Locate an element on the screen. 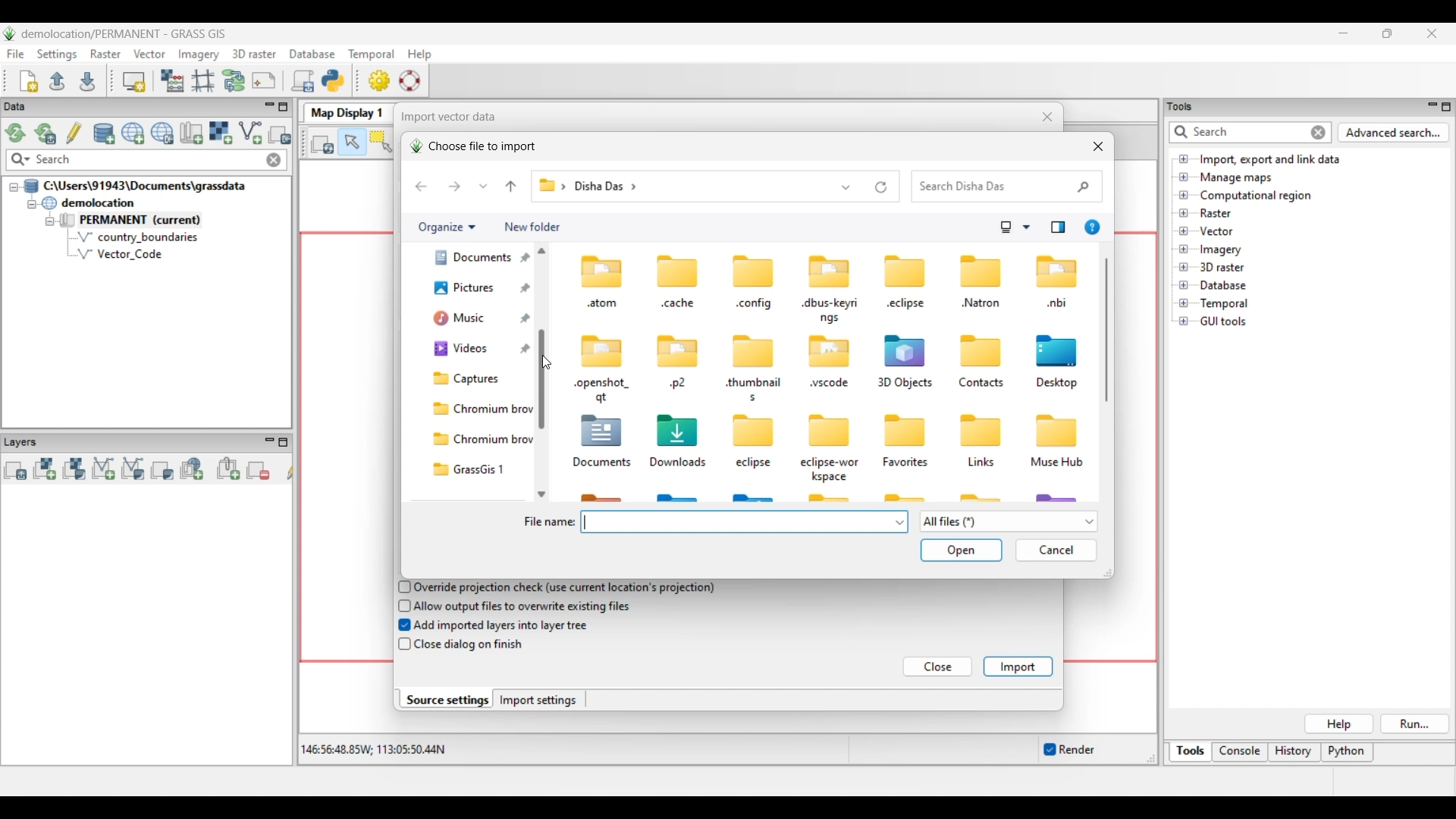 The width and height of the screenshot is (1456, 819). Database menu is located at coordinates (312, 55).